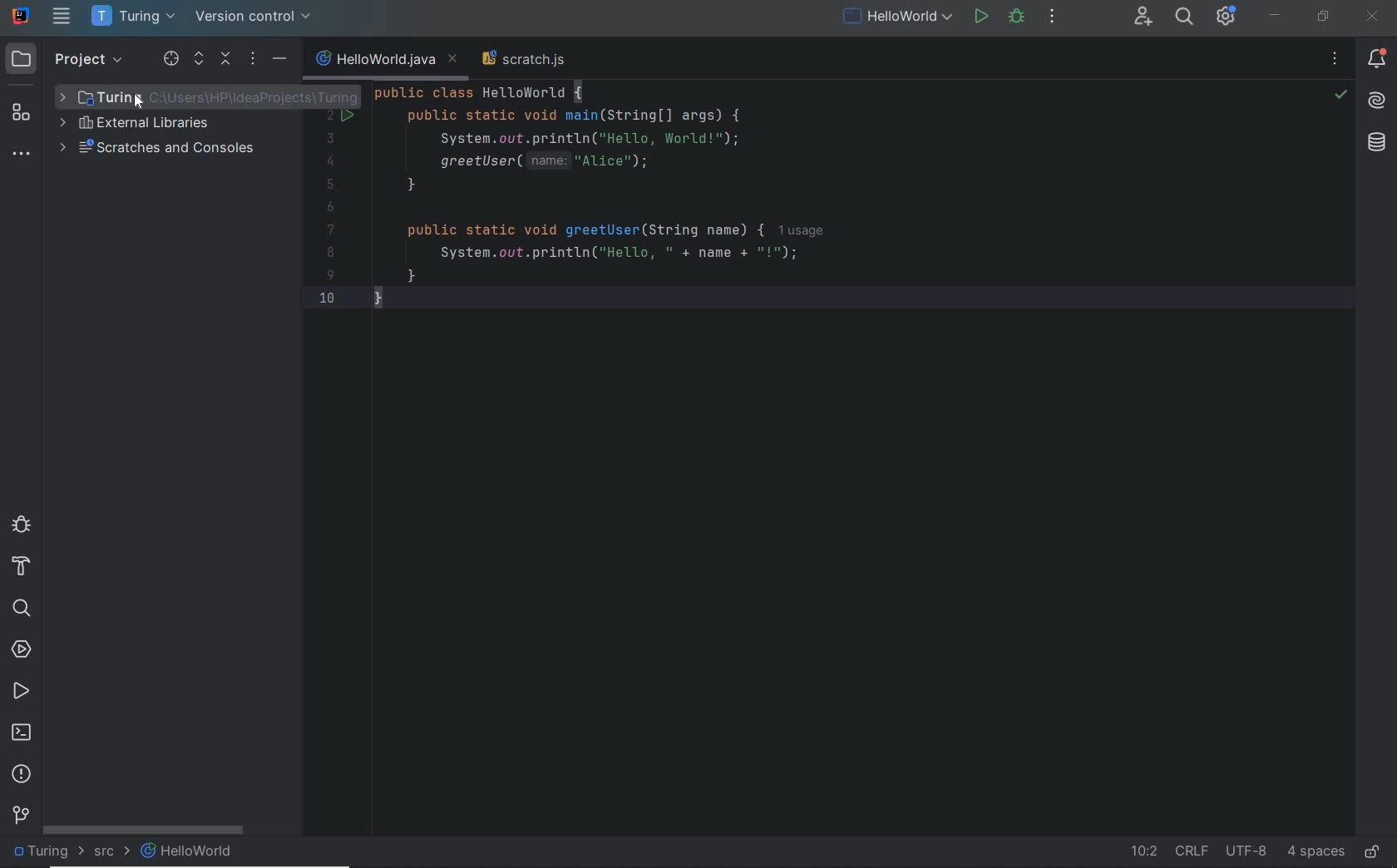 This screenshot has height=868, width=1397. What do you see at coordinates (24, 608) in the screenshot?
I see `search` at bounding box center [24, 608].